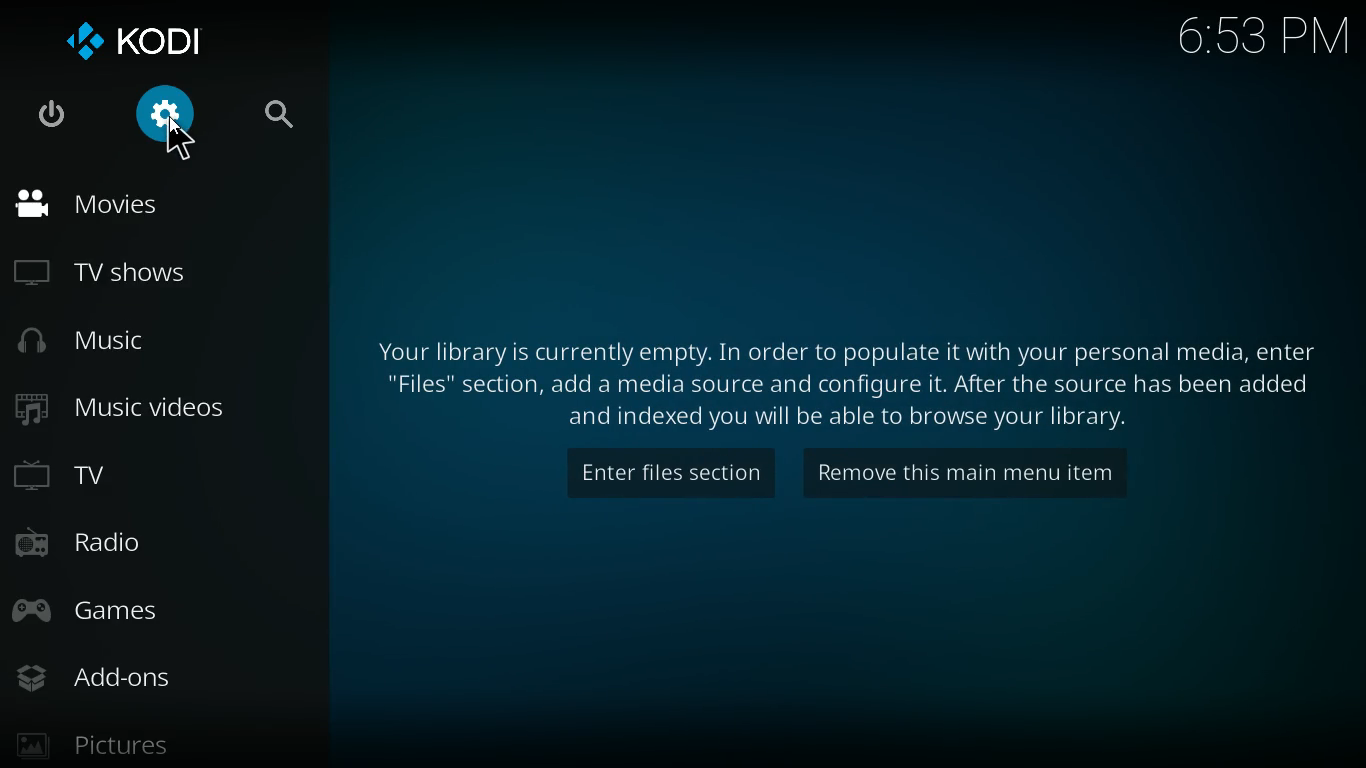 Image resolution: width=1366 pixels, height=768 pixels. I want to click on enter files, so click(660, 474).